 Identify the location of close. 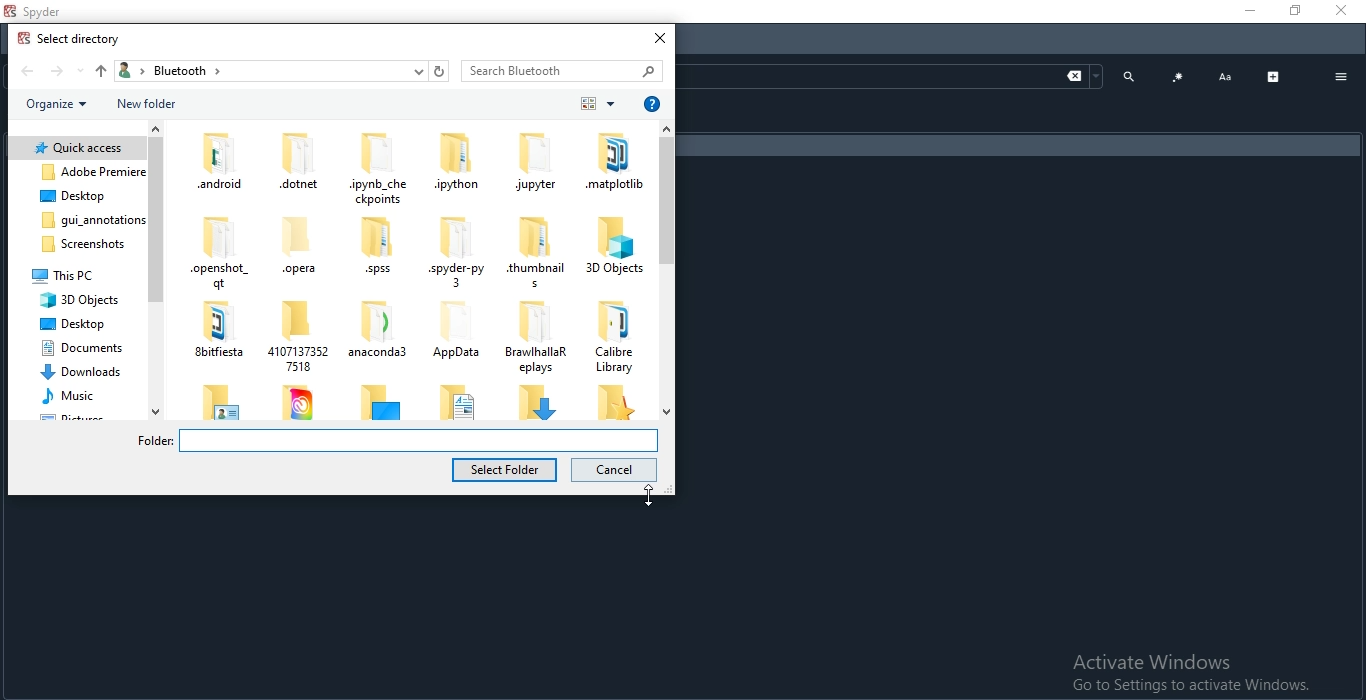
(660, 38).